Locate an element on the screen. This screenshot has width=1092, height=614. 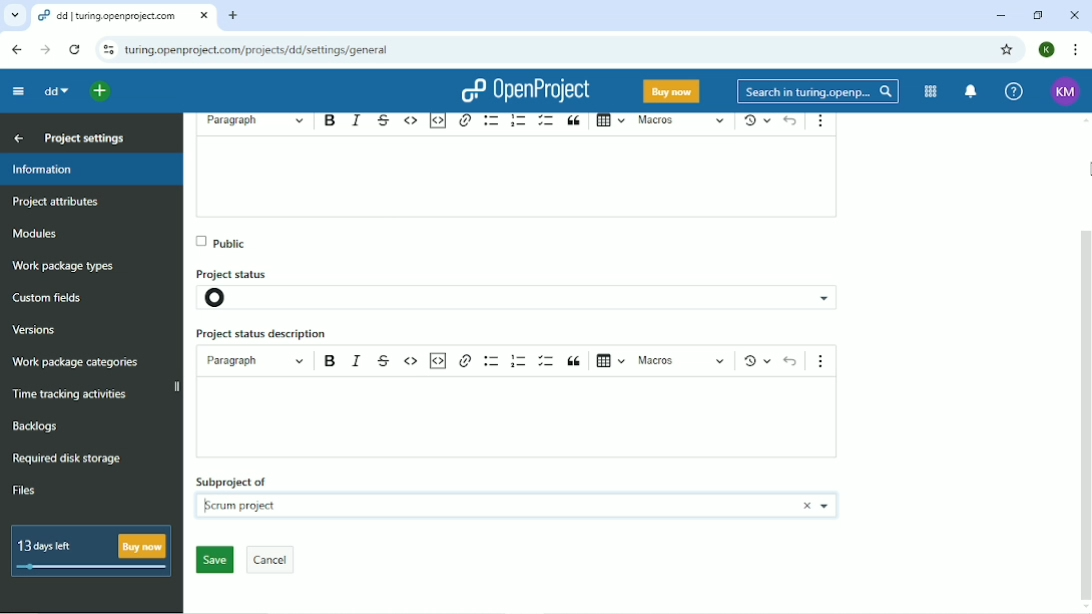
Block quote is located at coordinates (574, 122).